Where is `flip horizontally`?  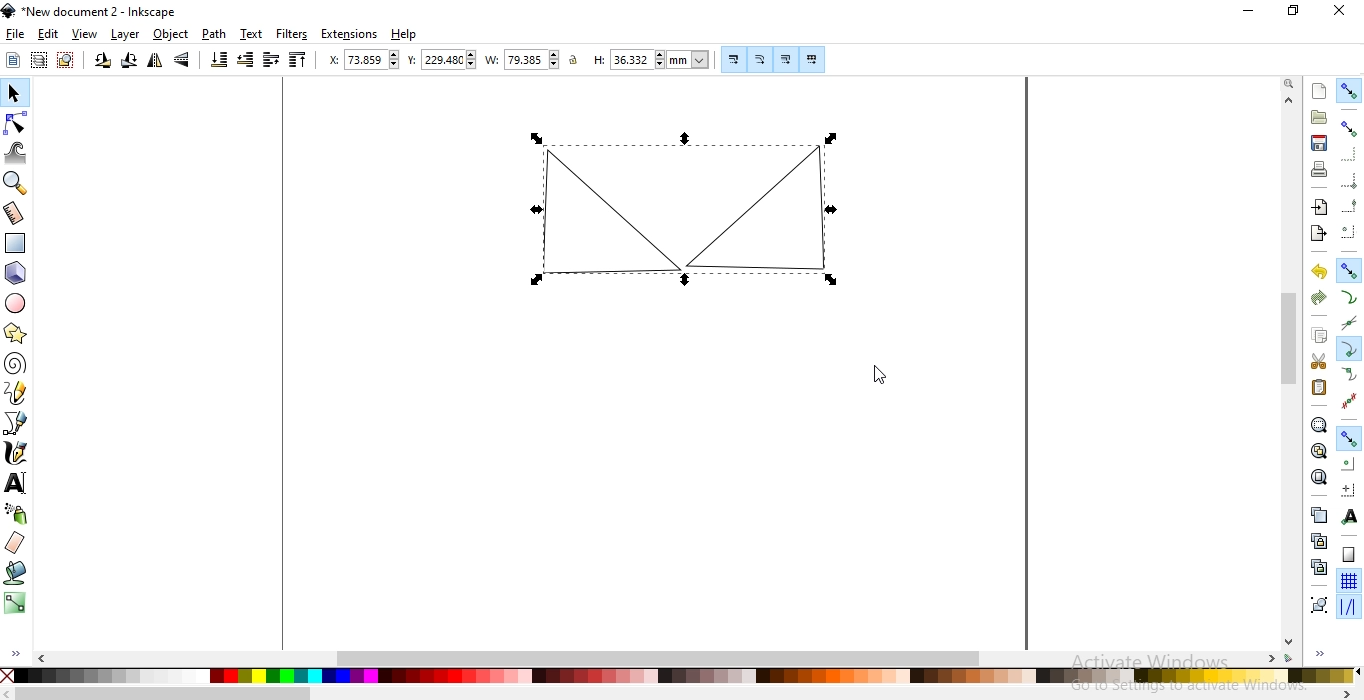 flip horizontally is located at coordinates (155, 61).